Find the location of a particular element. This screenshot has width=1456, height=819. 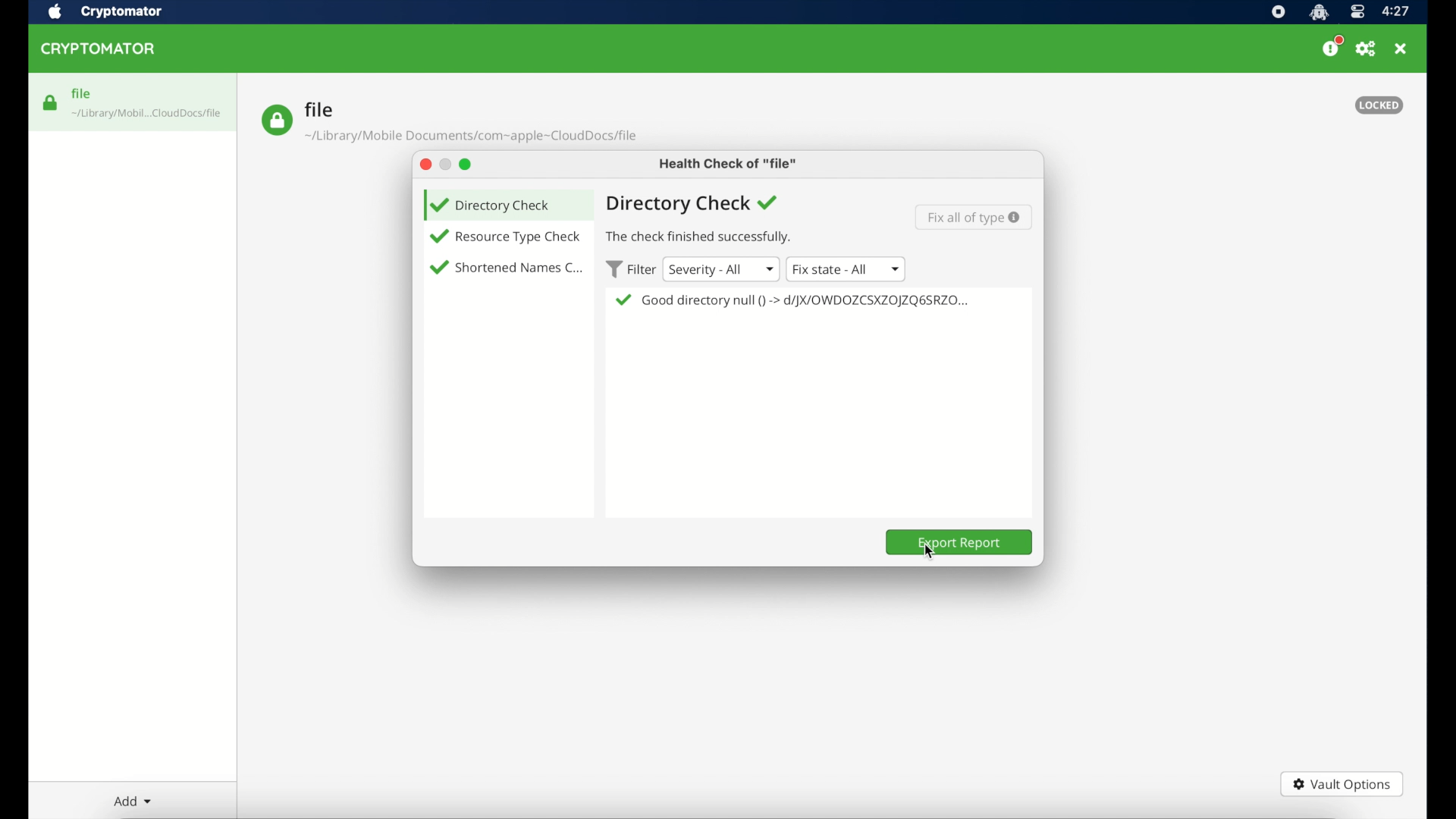

checkmark is located at coordinates (437, 268).